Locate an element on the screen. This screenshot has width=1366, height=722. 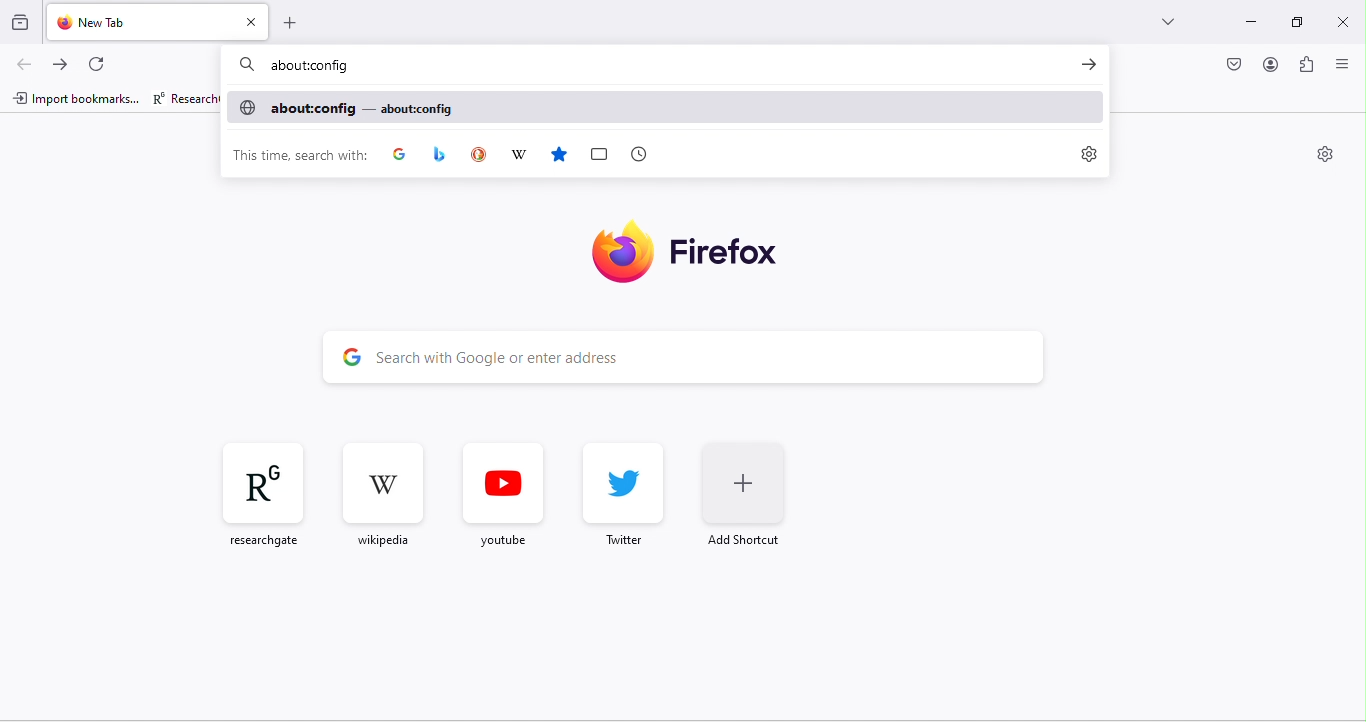
drop down is located at coordinates (1167, 22).